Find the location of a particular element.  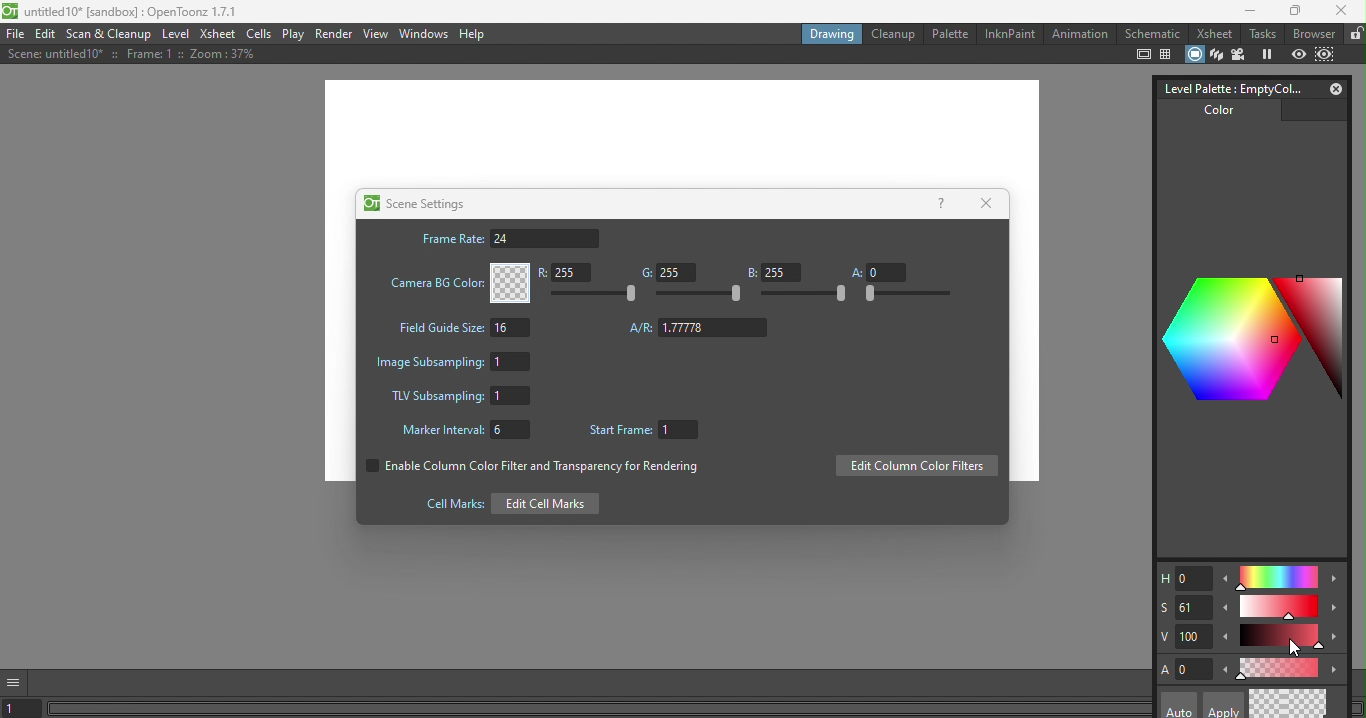

Field guide size is located at coordinates (461, 330).